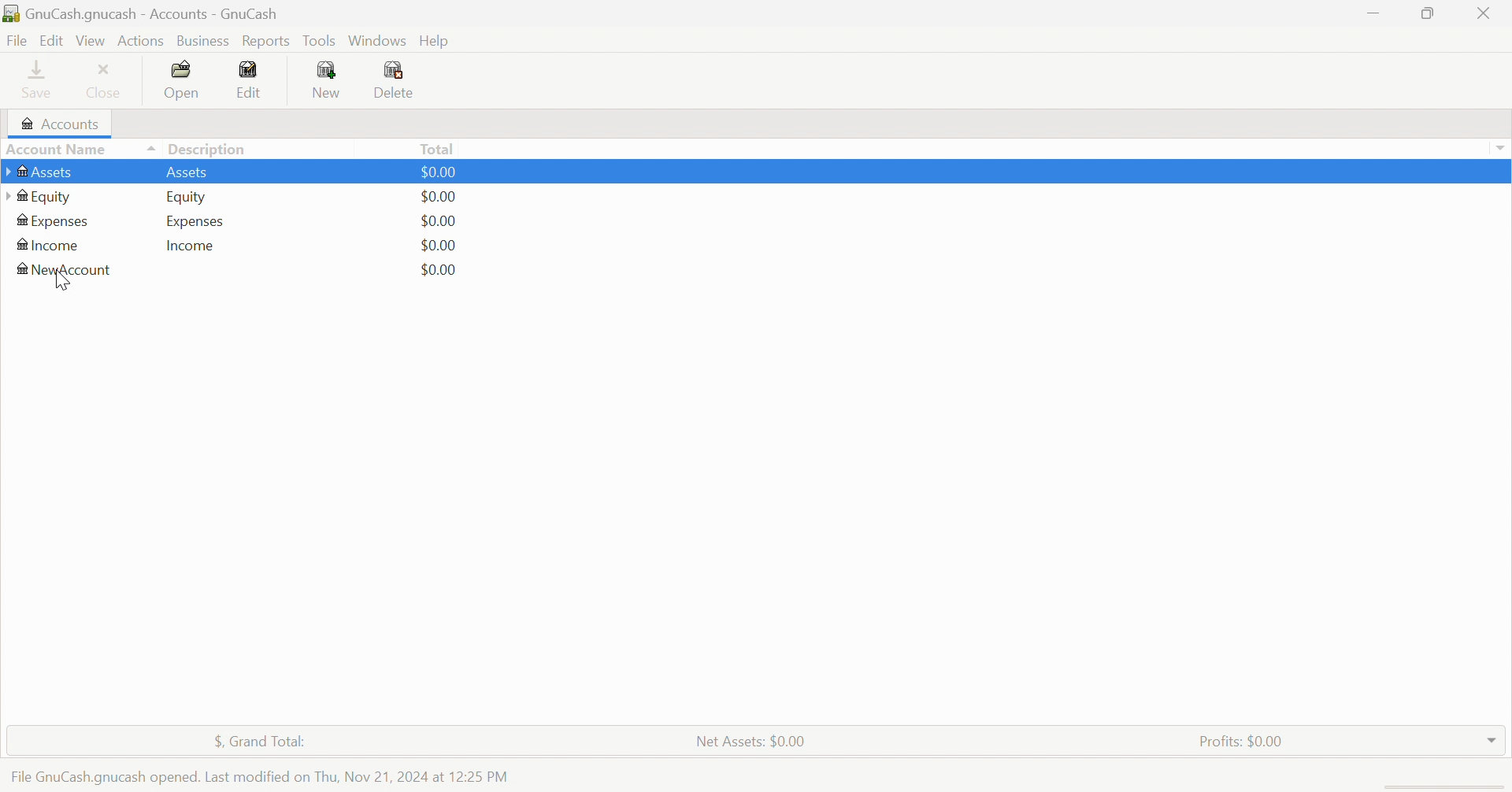  Describe the element at coordinates (270, 41) in the screenshot. I see `Reports` at that location.